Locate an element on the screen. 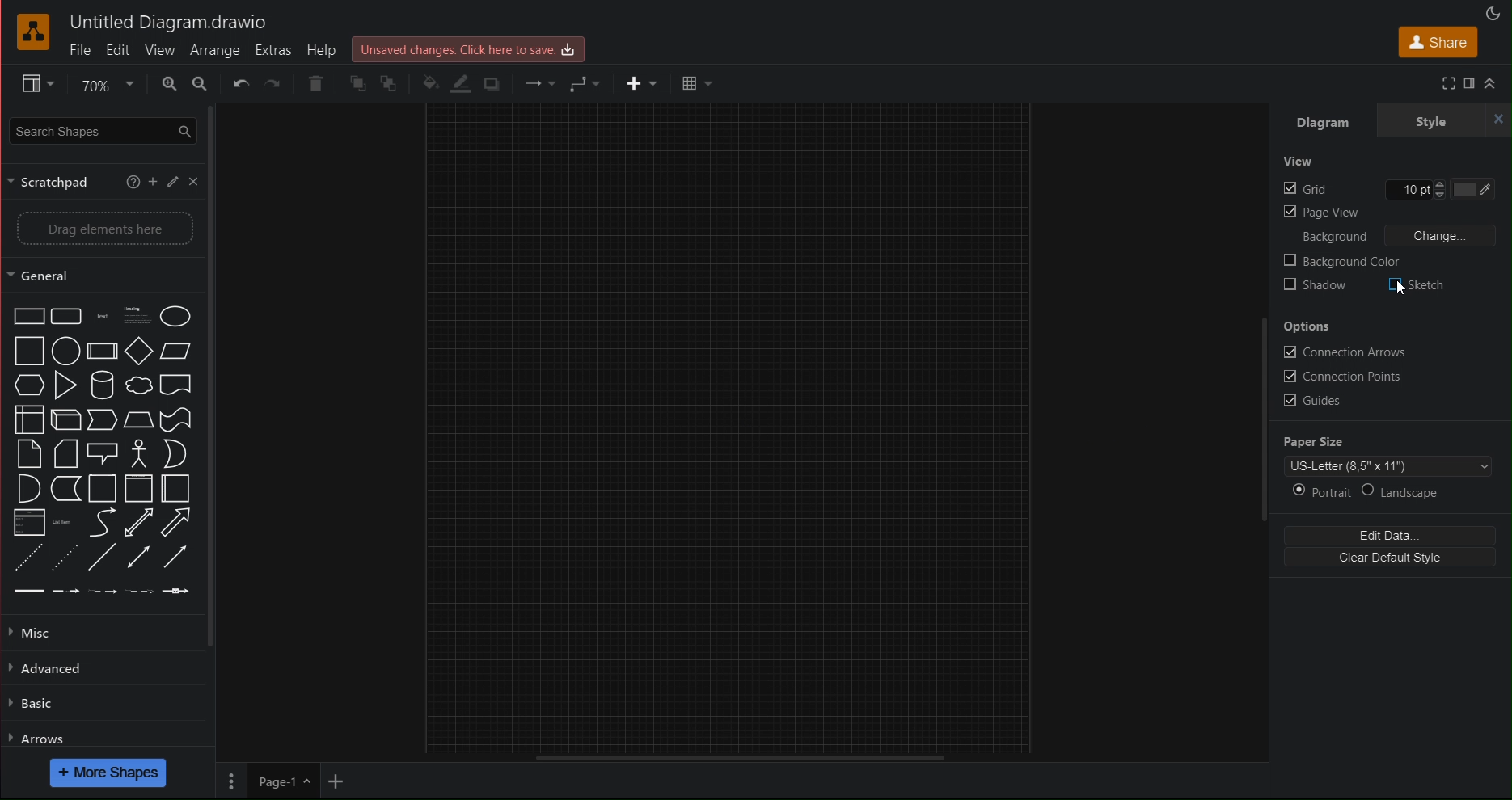 The height and width of the screenshot is (800, 1512). dotted line is located at coordinates (66, 558).